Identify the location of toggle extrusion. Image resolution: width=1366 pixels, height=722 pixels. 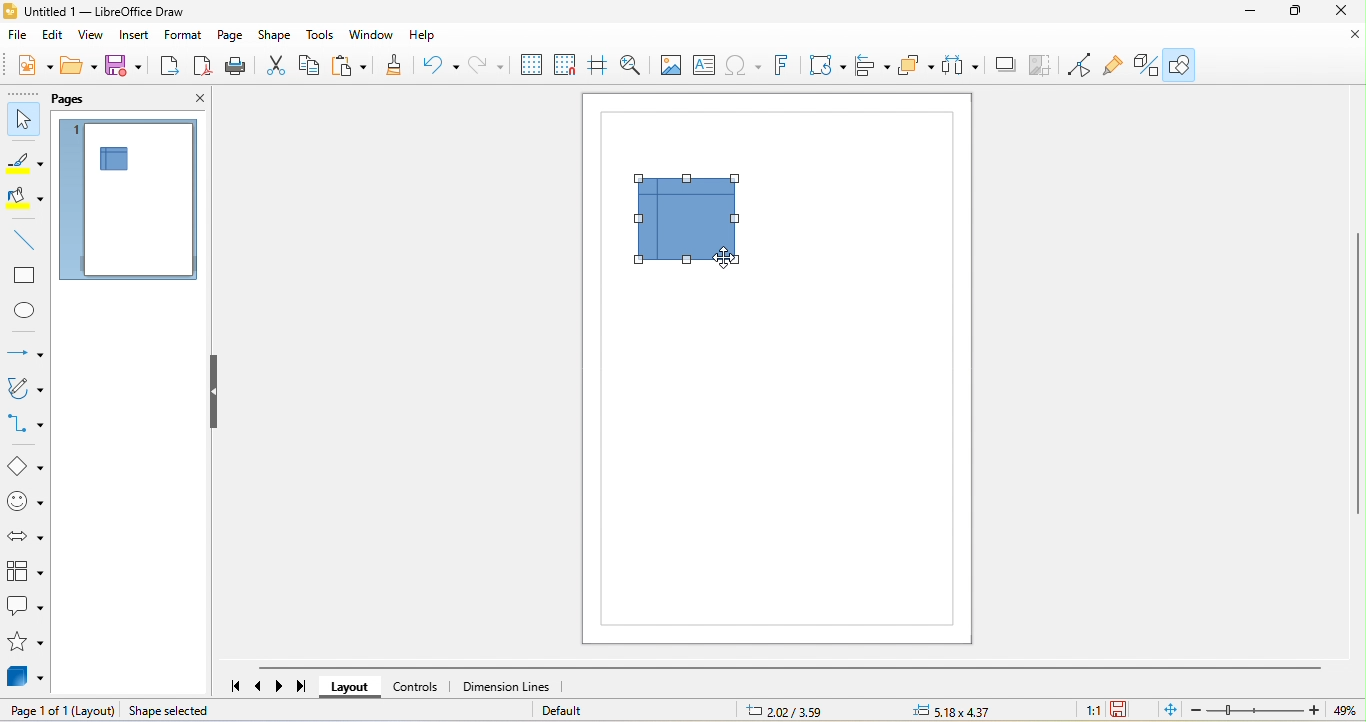
(1148, 66).